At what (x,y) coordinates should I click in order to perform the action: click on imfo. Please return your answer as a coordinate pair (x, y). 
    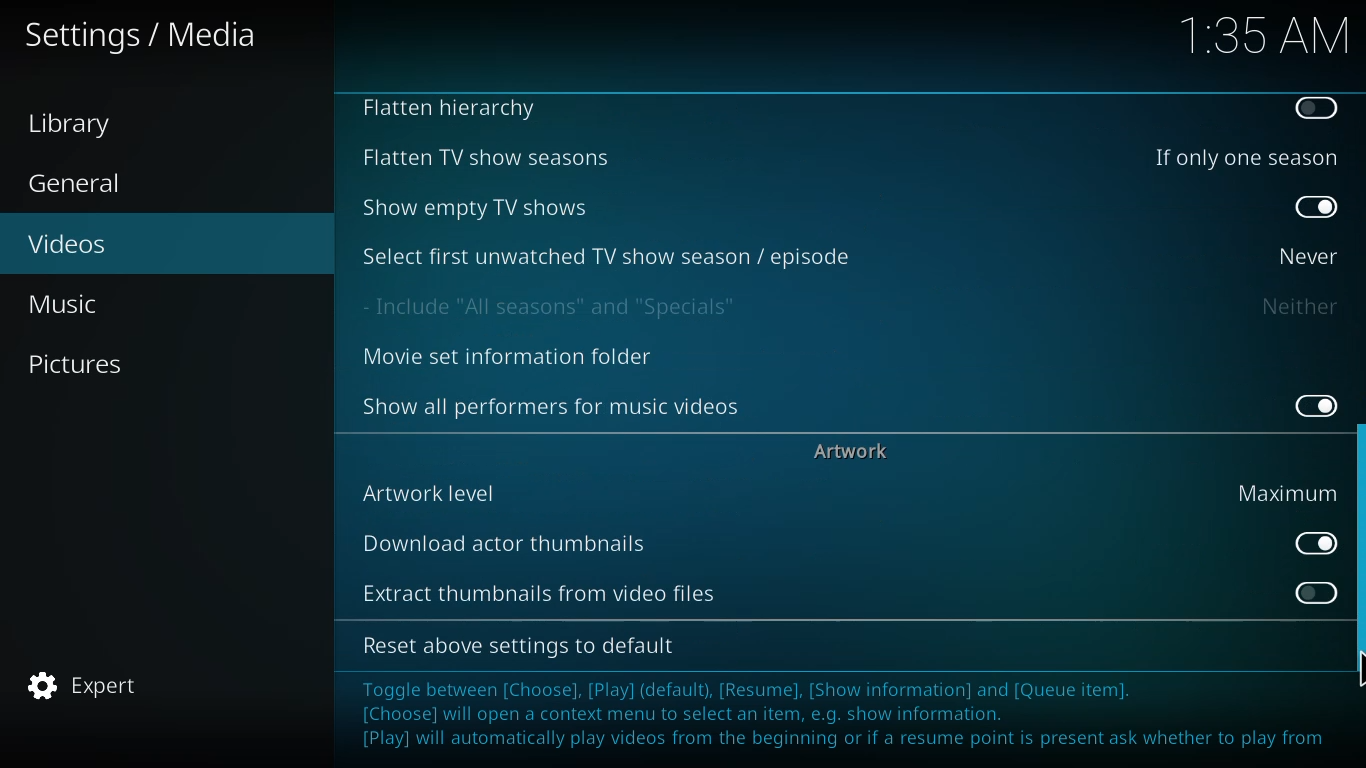
    Looking at the image, I should click on (845, 717).